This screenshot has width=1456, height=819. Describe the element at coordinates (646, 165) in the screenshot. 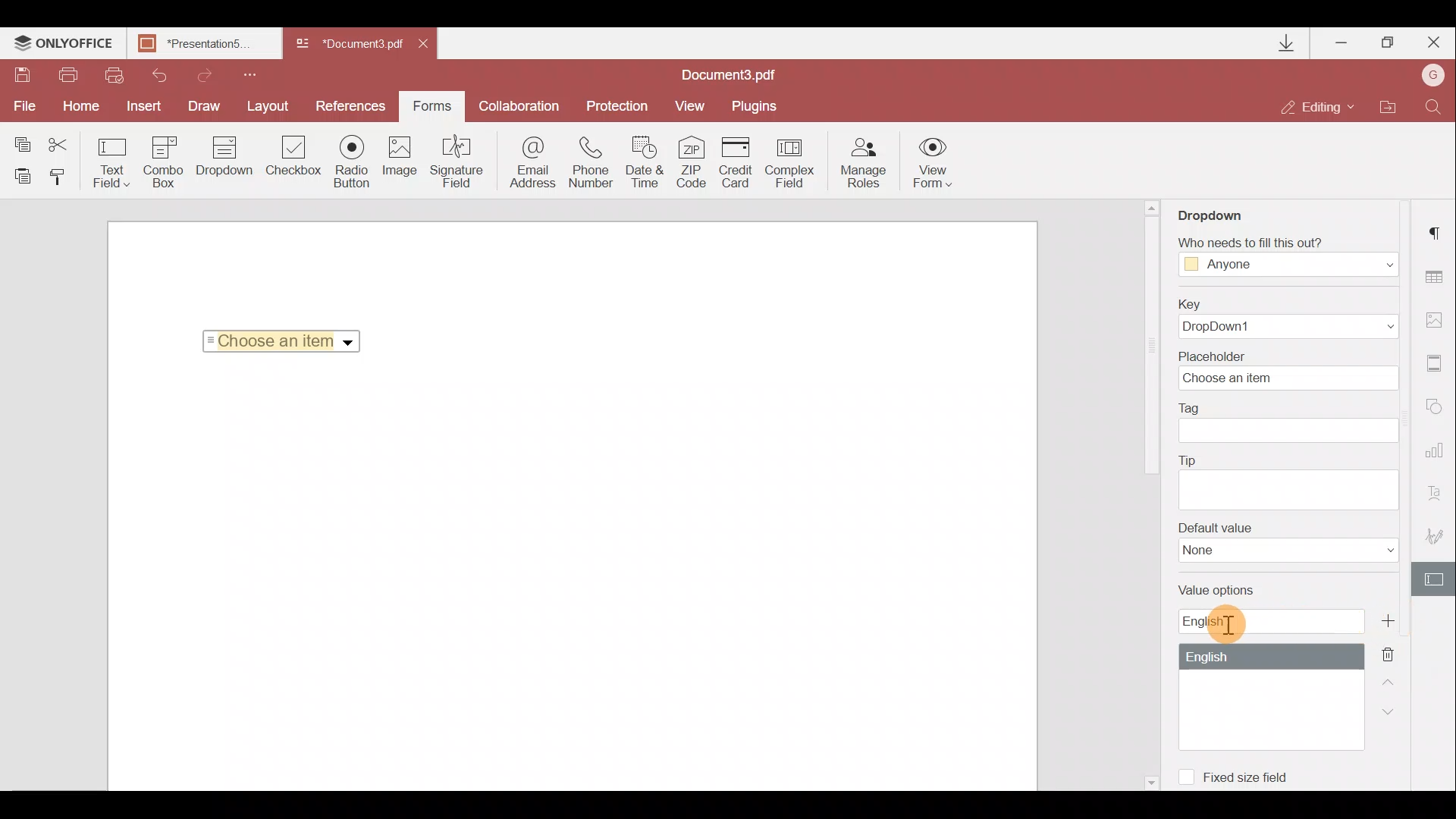

I see `Date & time` at that location.